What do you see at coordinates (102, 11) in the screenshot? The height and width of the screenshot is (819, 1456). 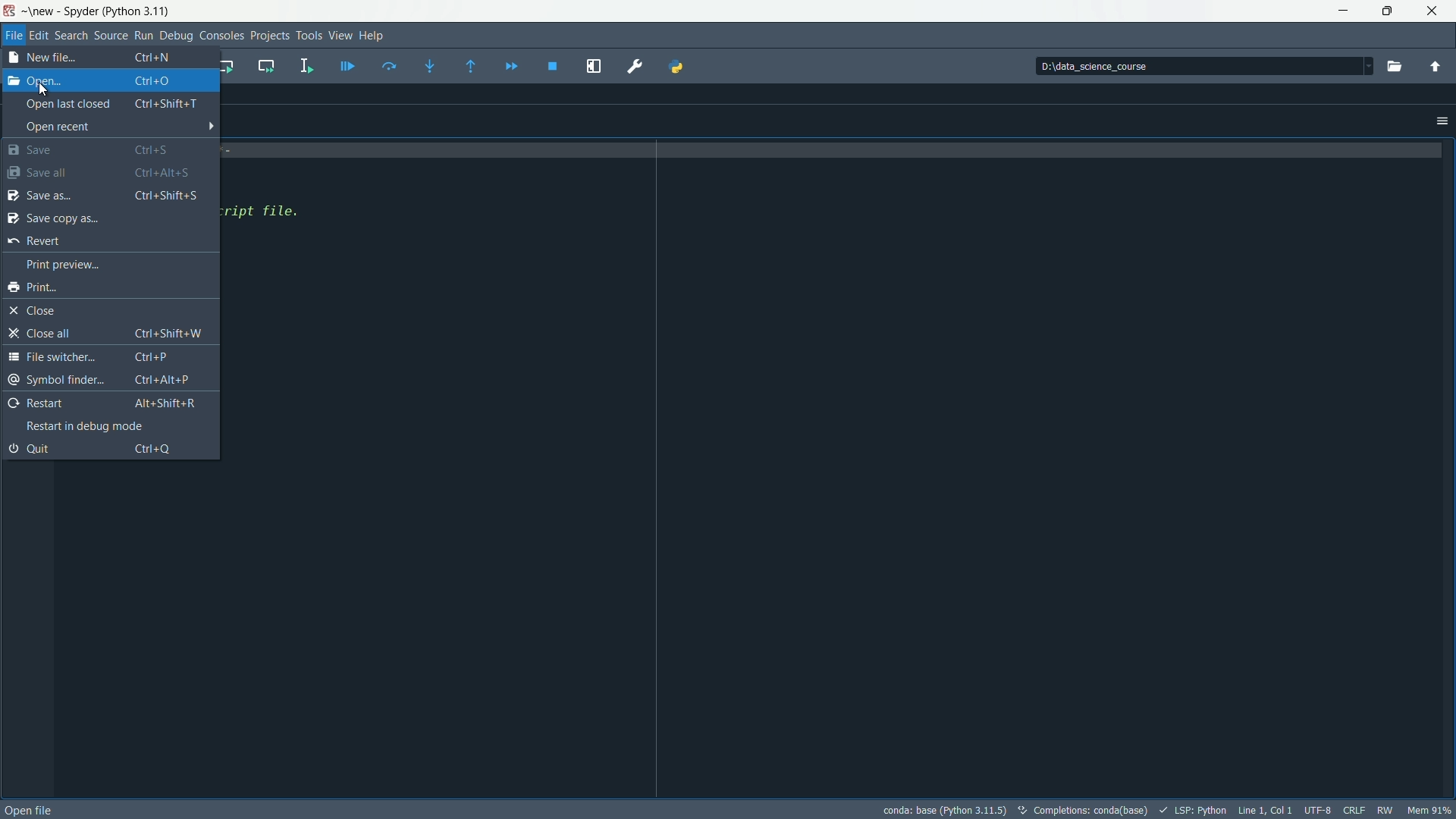 I see `app name` at bounding box center [102, 11].